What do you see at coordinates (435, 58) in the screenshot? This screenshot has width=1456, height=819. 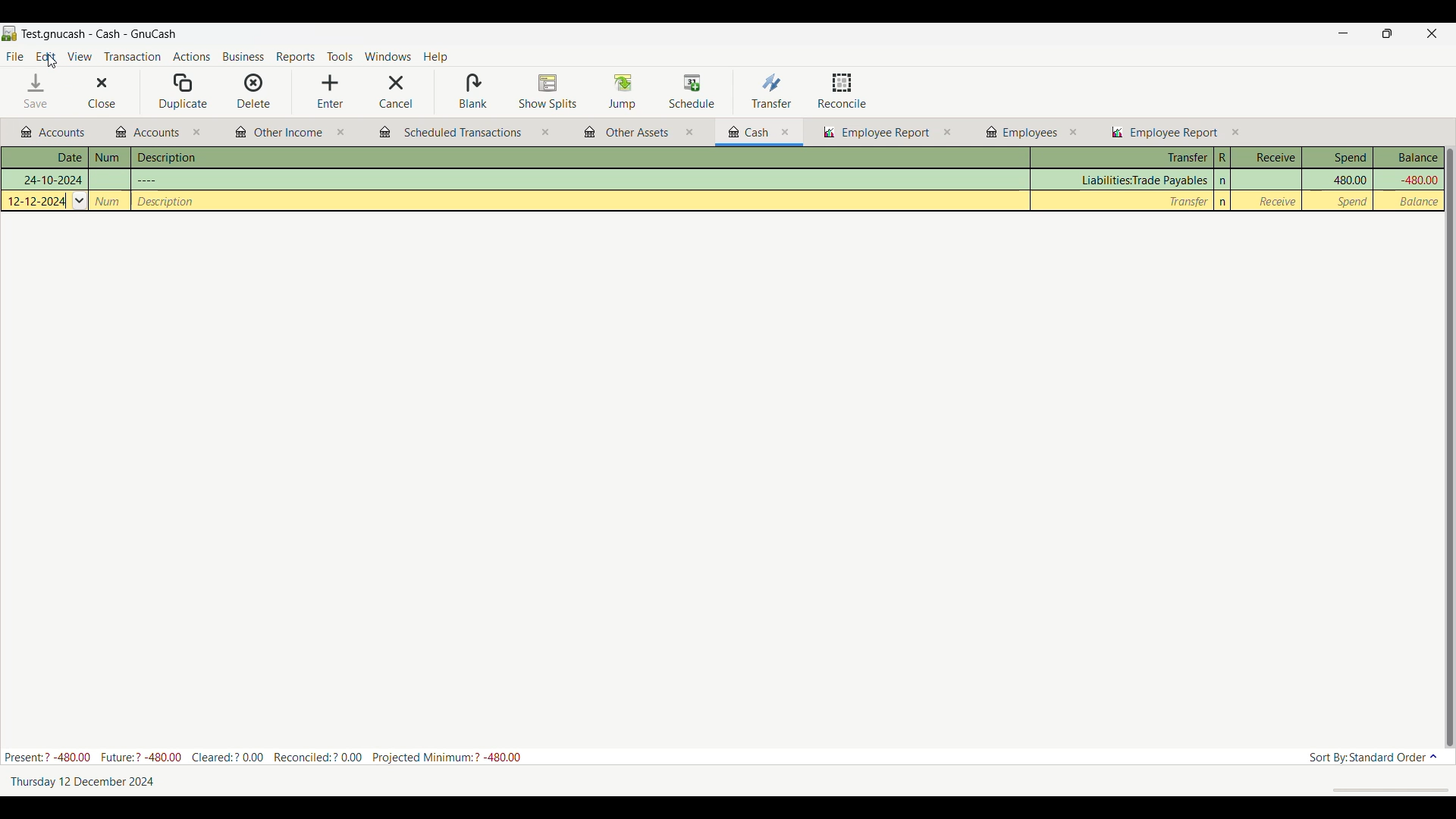 I see `Help menu` at bounding box center [435, 58].